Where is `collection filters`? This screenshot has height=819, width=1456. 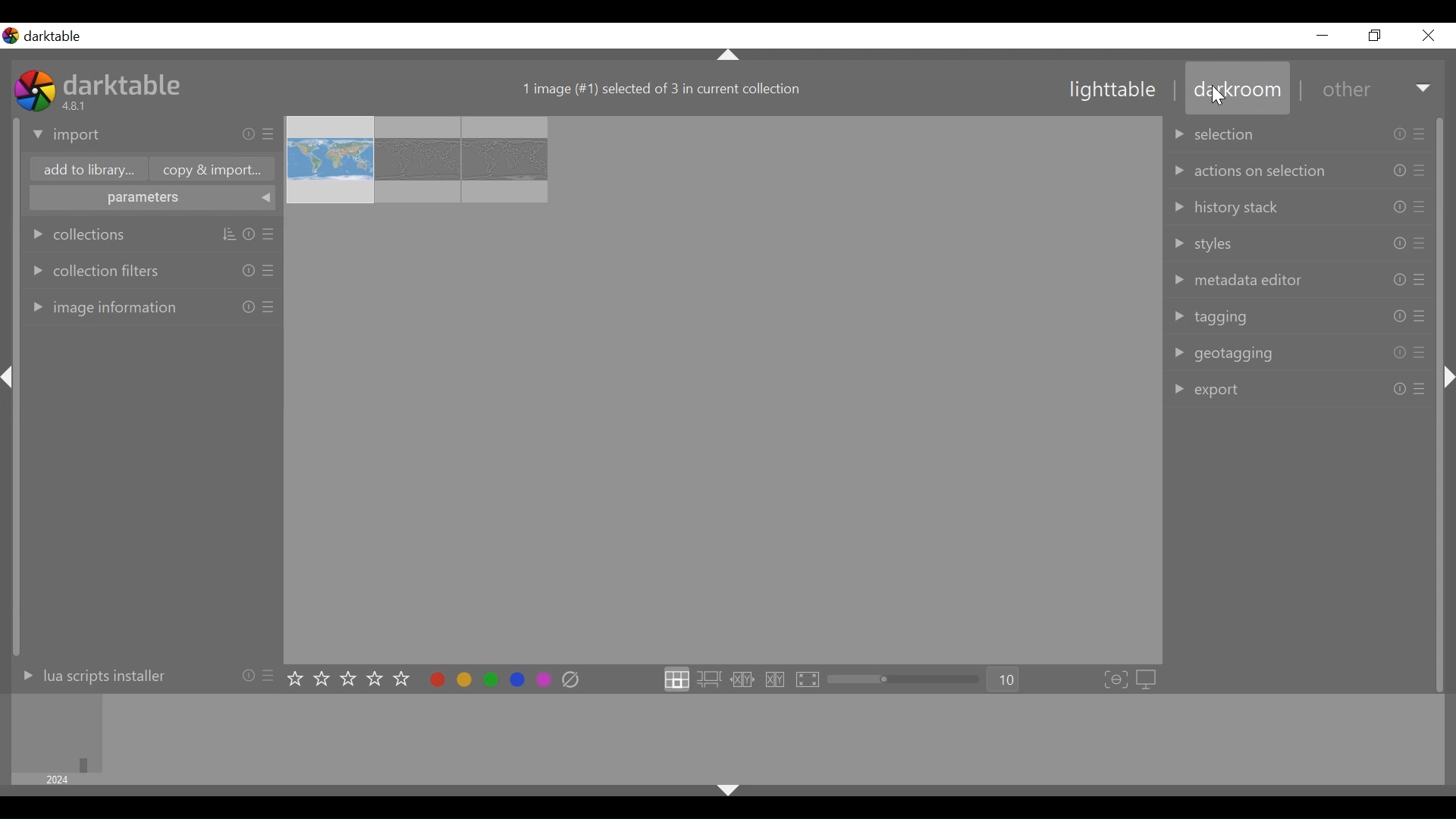
collection filters is located at coordinates (149, 266).